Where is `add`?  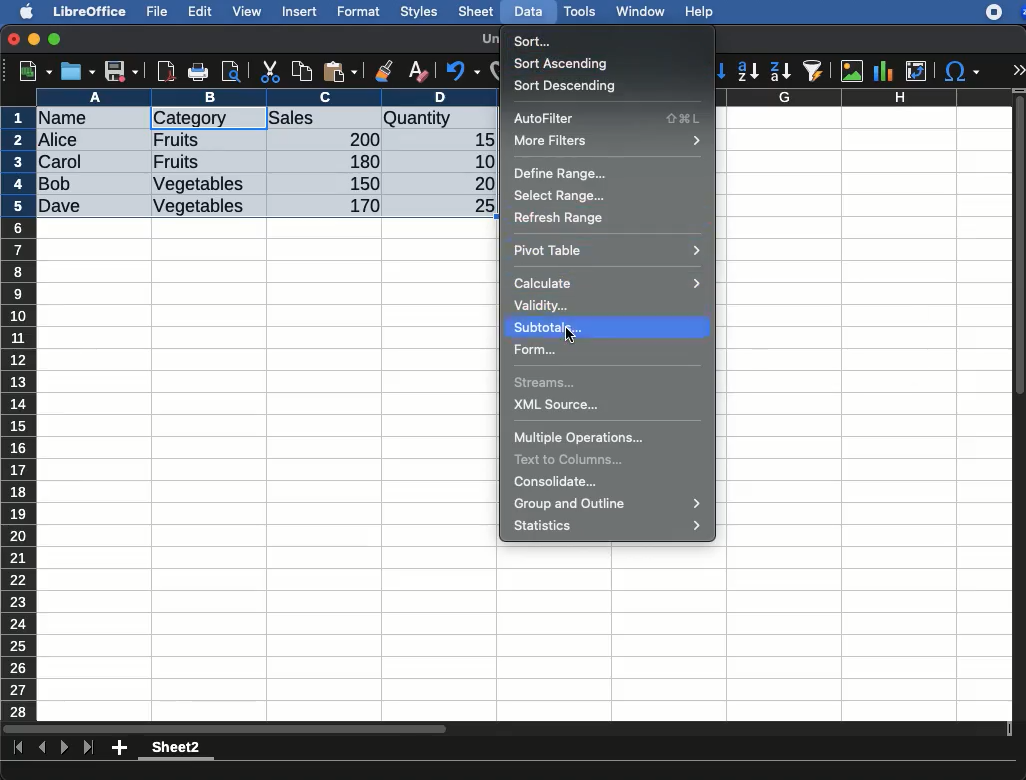 add is located at coordinates (121, 747).